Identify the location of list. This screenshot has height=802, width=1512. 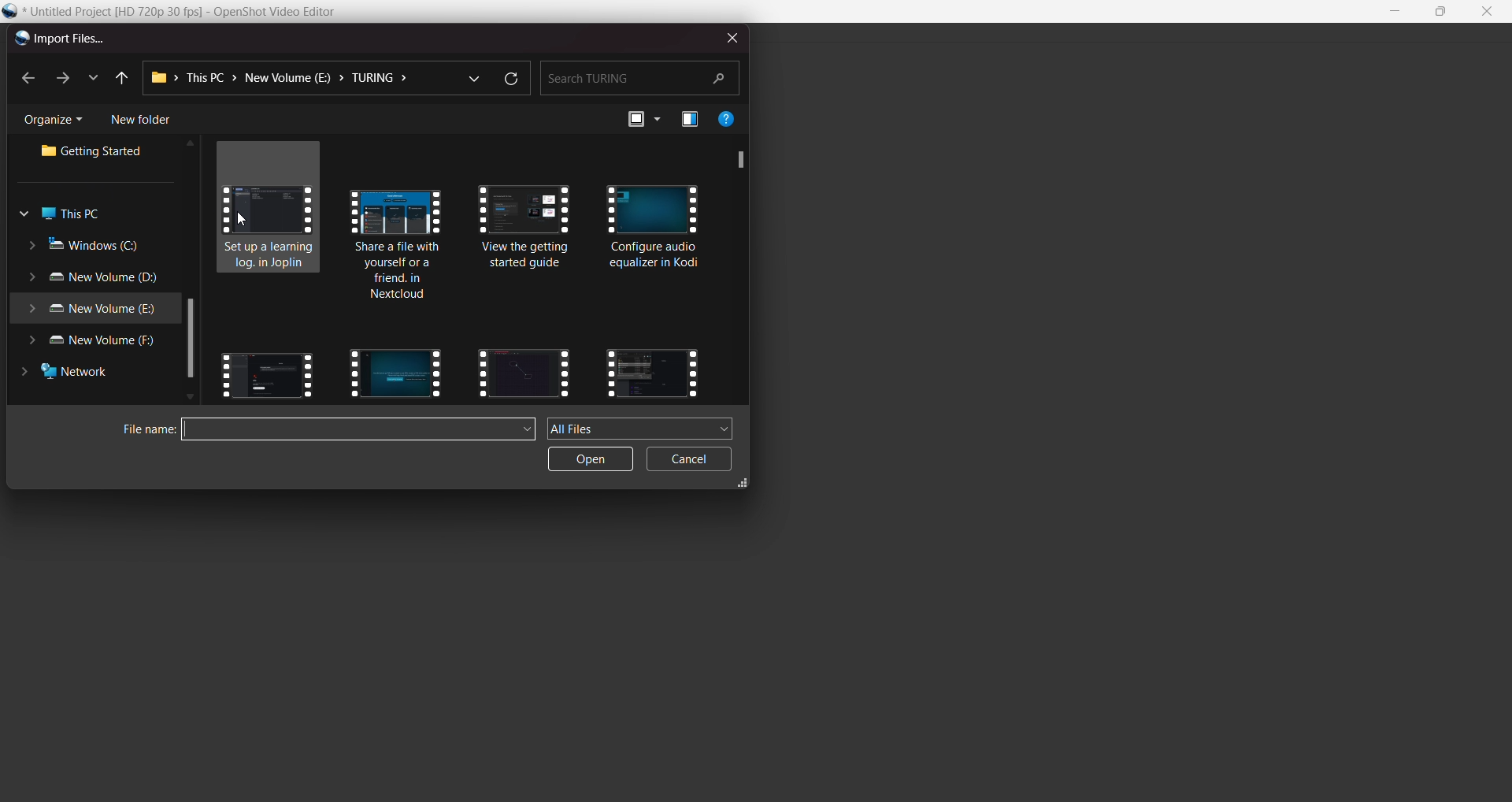
(91, 76).